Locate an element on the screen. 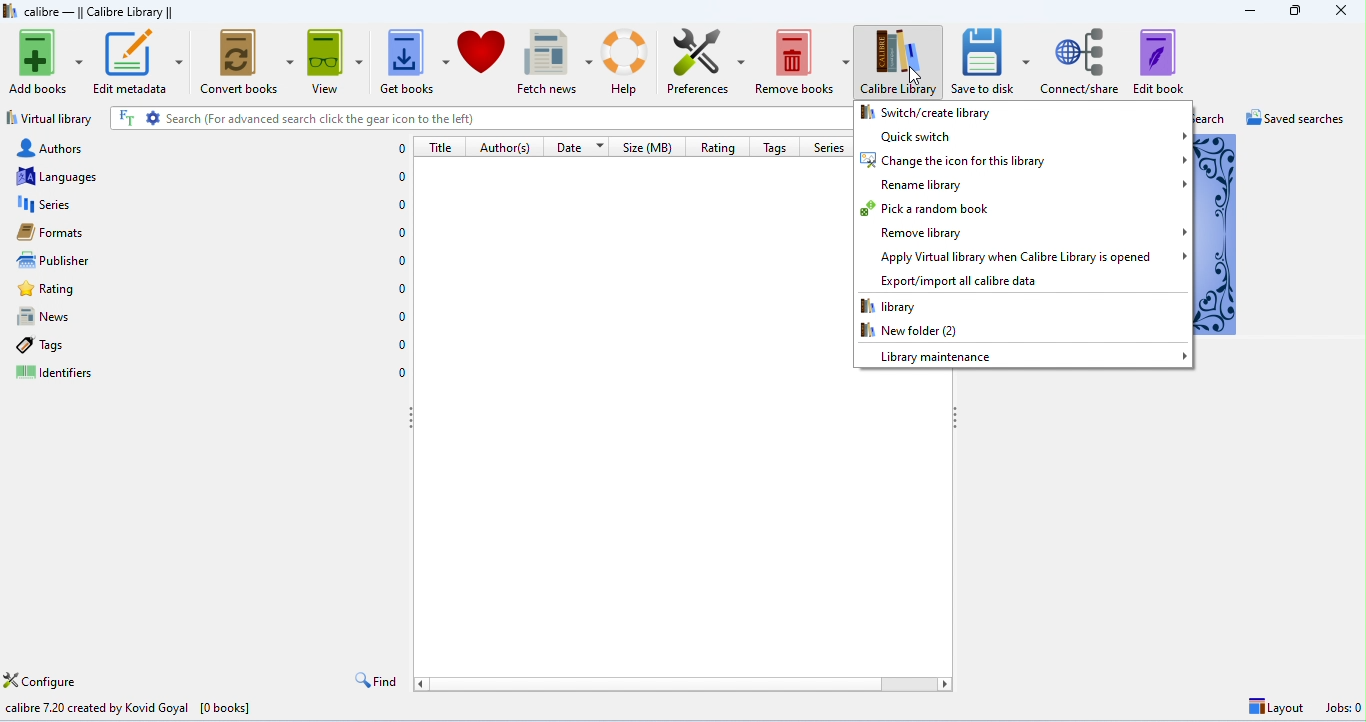  export / import all calibre data is located at coordinates (1024, 280).